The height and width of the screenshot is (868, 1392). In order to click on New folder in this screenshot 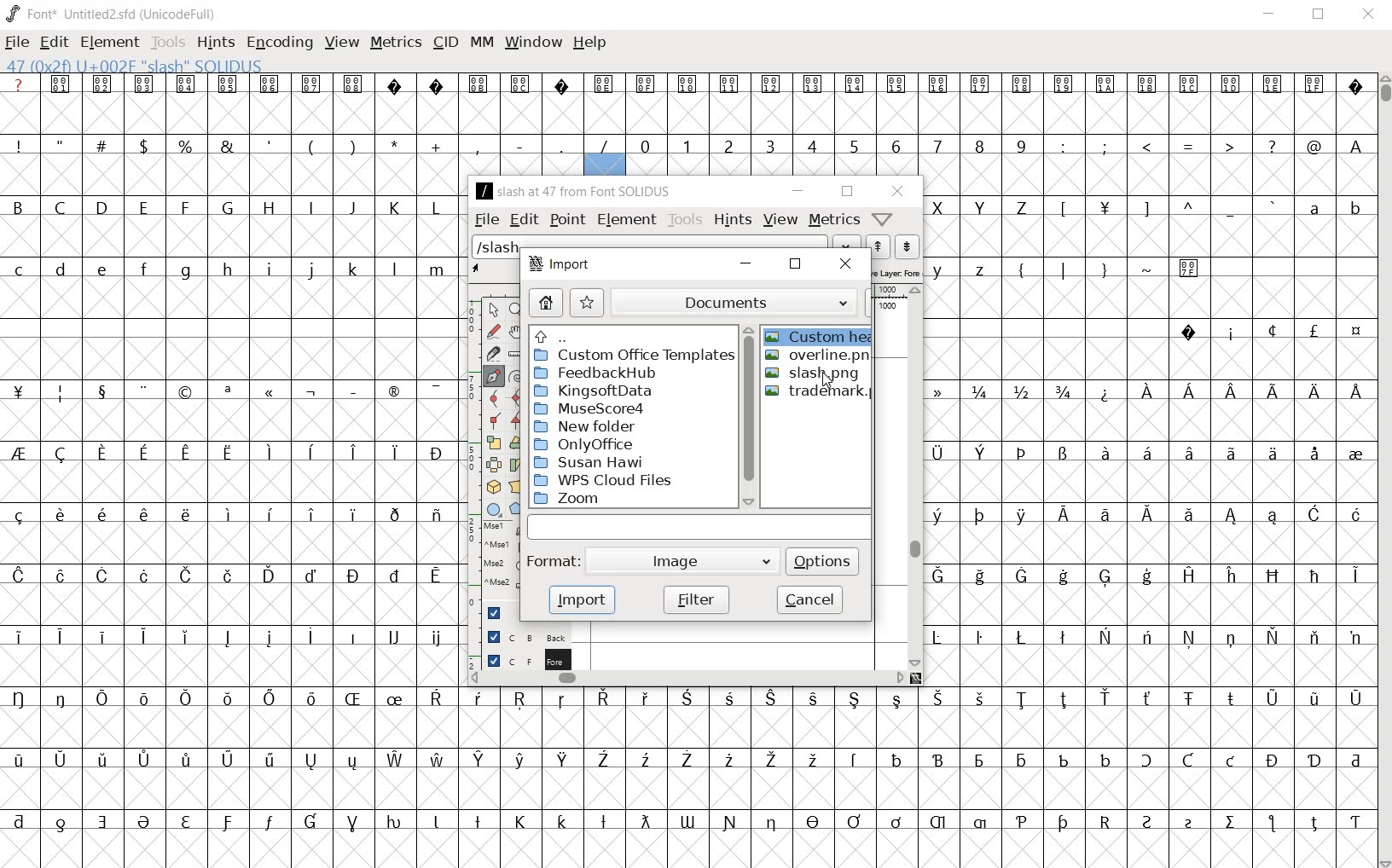, I will do `click(586, 426)`.